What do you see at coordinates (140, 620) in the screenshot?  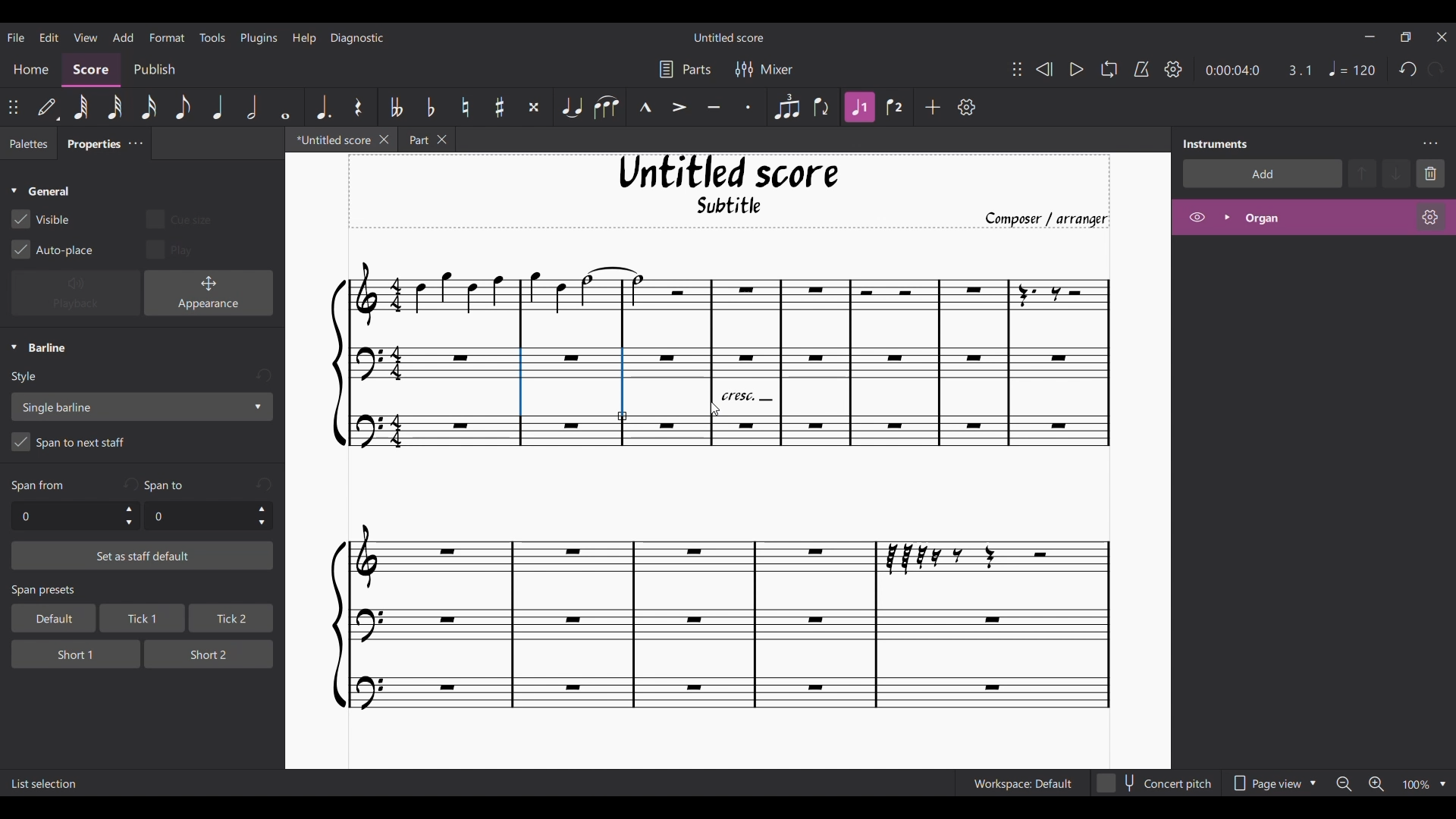 I see `tick 1` at bounding box center [140, 620].